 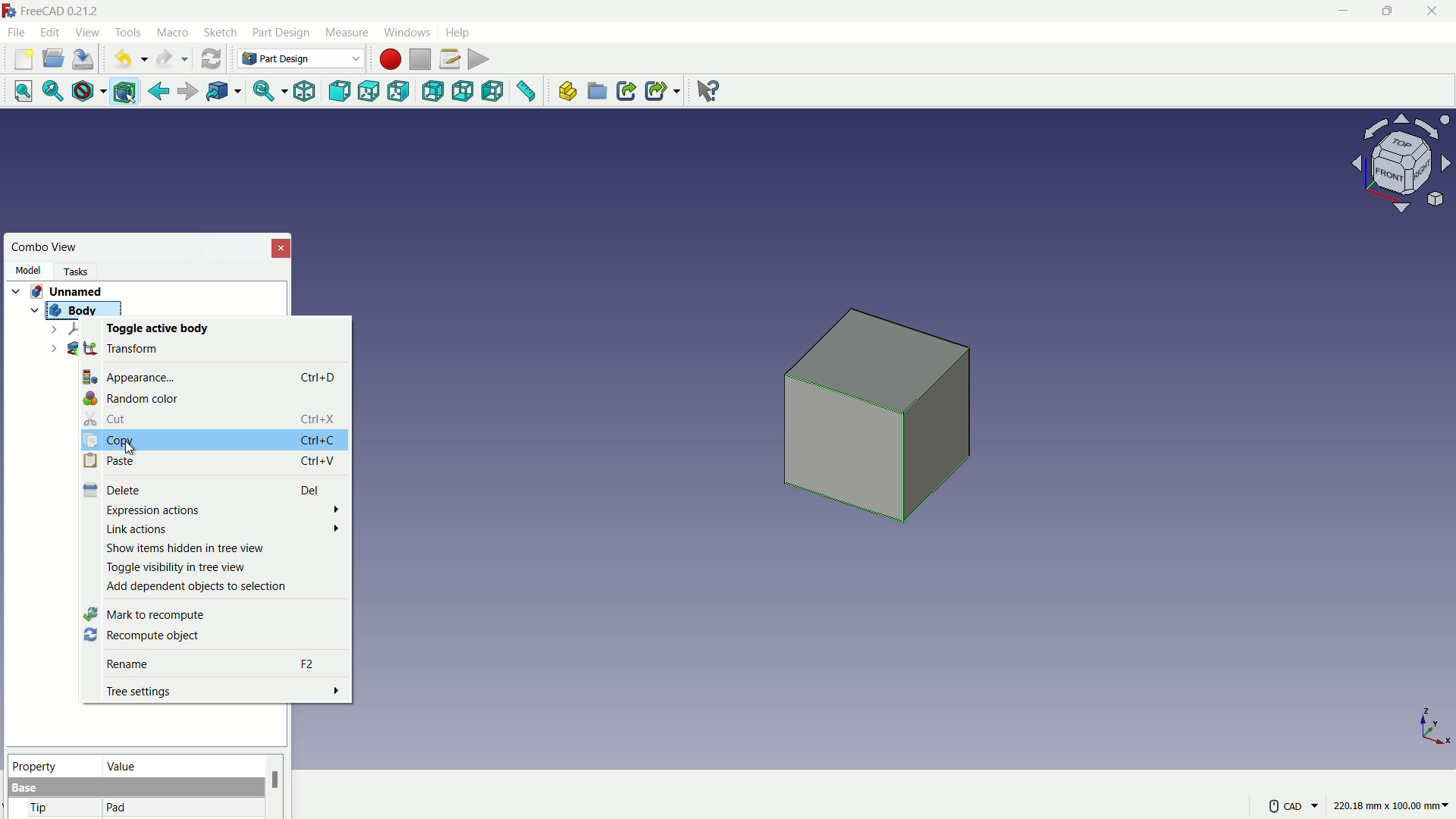 What do you see at coordinates (185, 548) in the screenshot?
I see `Show items hidden in tree view` at bounding box center [185, 548].